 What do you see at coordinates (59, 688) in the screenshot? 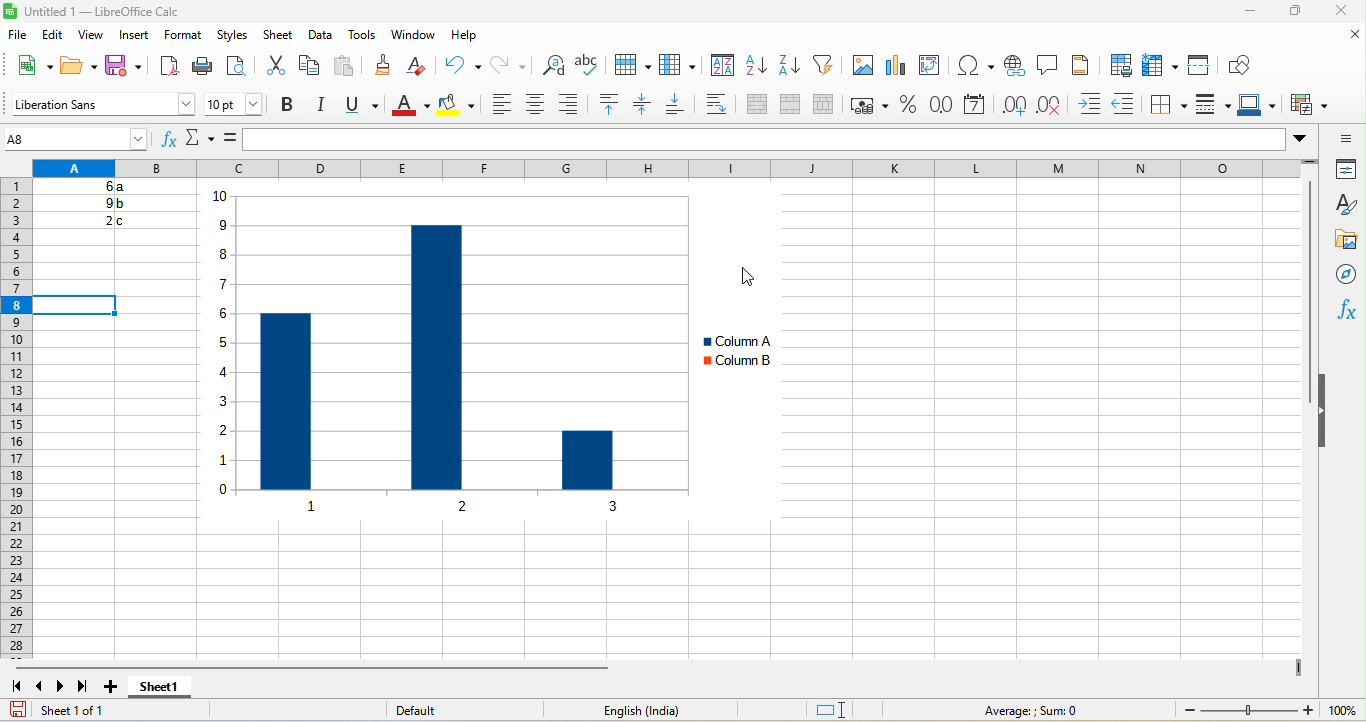
I see `next sheet` at bounding box center [59, 688].